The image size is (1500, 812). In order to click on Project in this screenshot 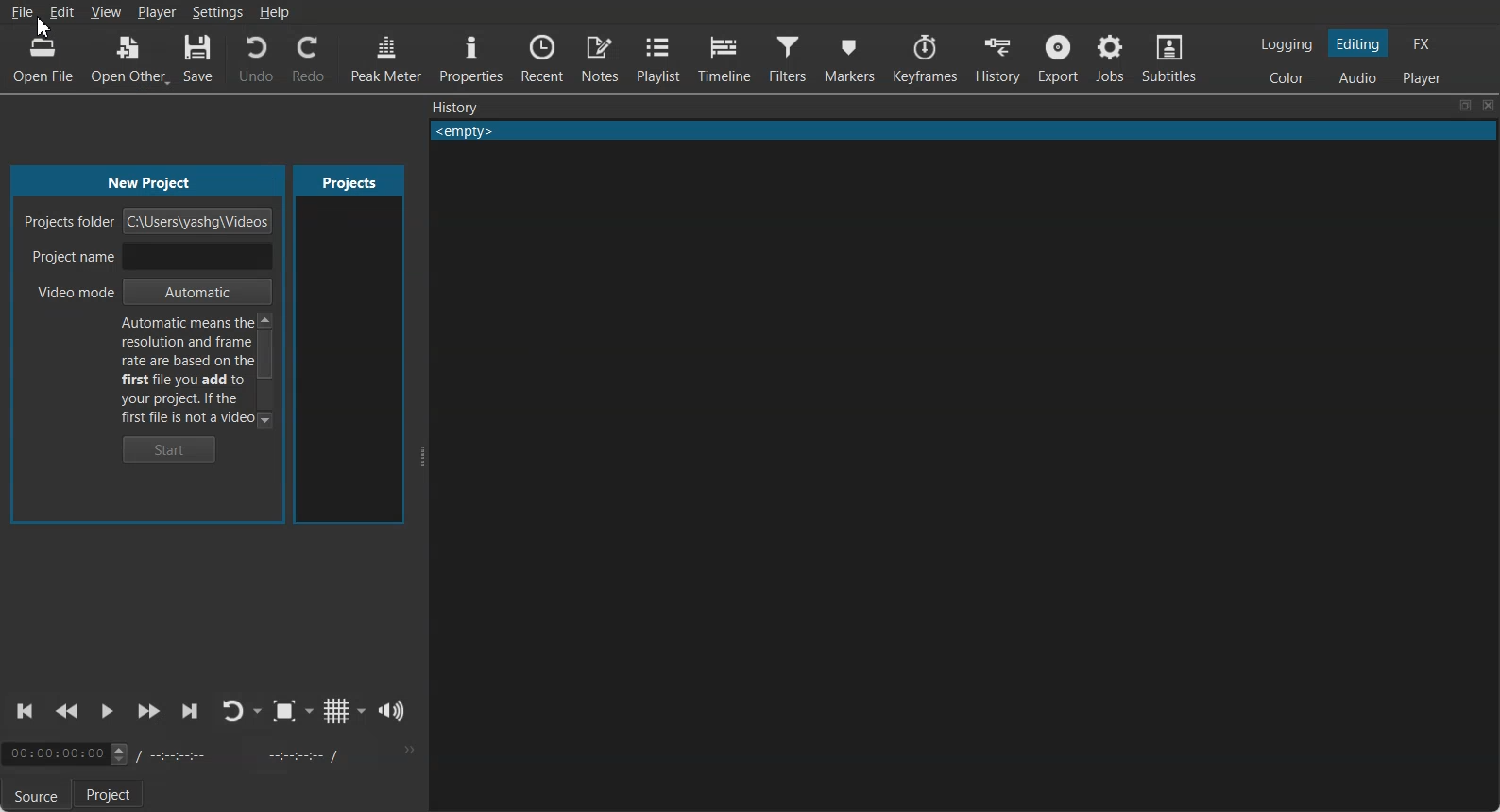, I will do `click(111, 795)`.